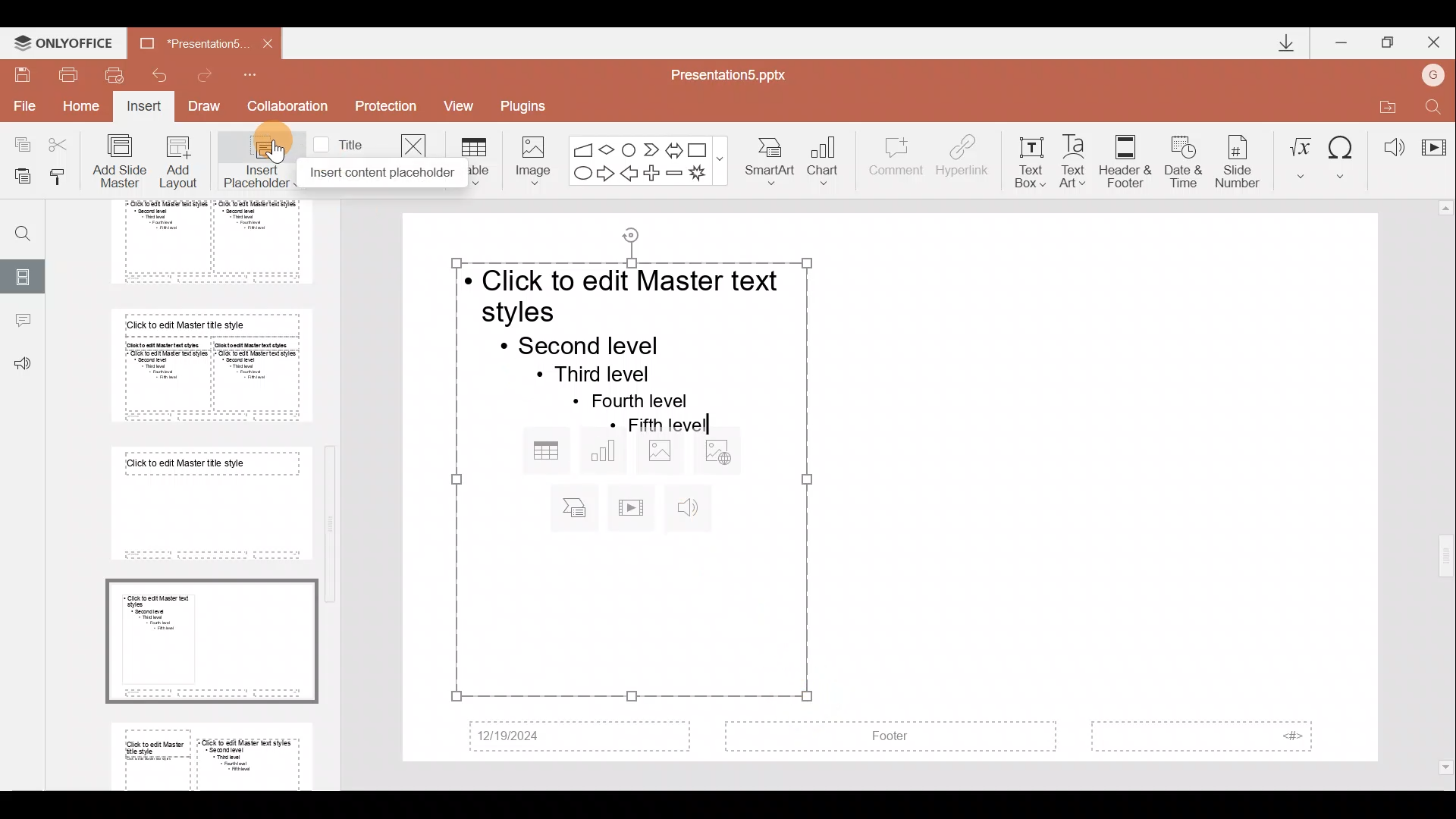  What do you see at coordinates (334, 485) in the screenshot?
I see `Scroll bar` at bounding box center [334, 485].